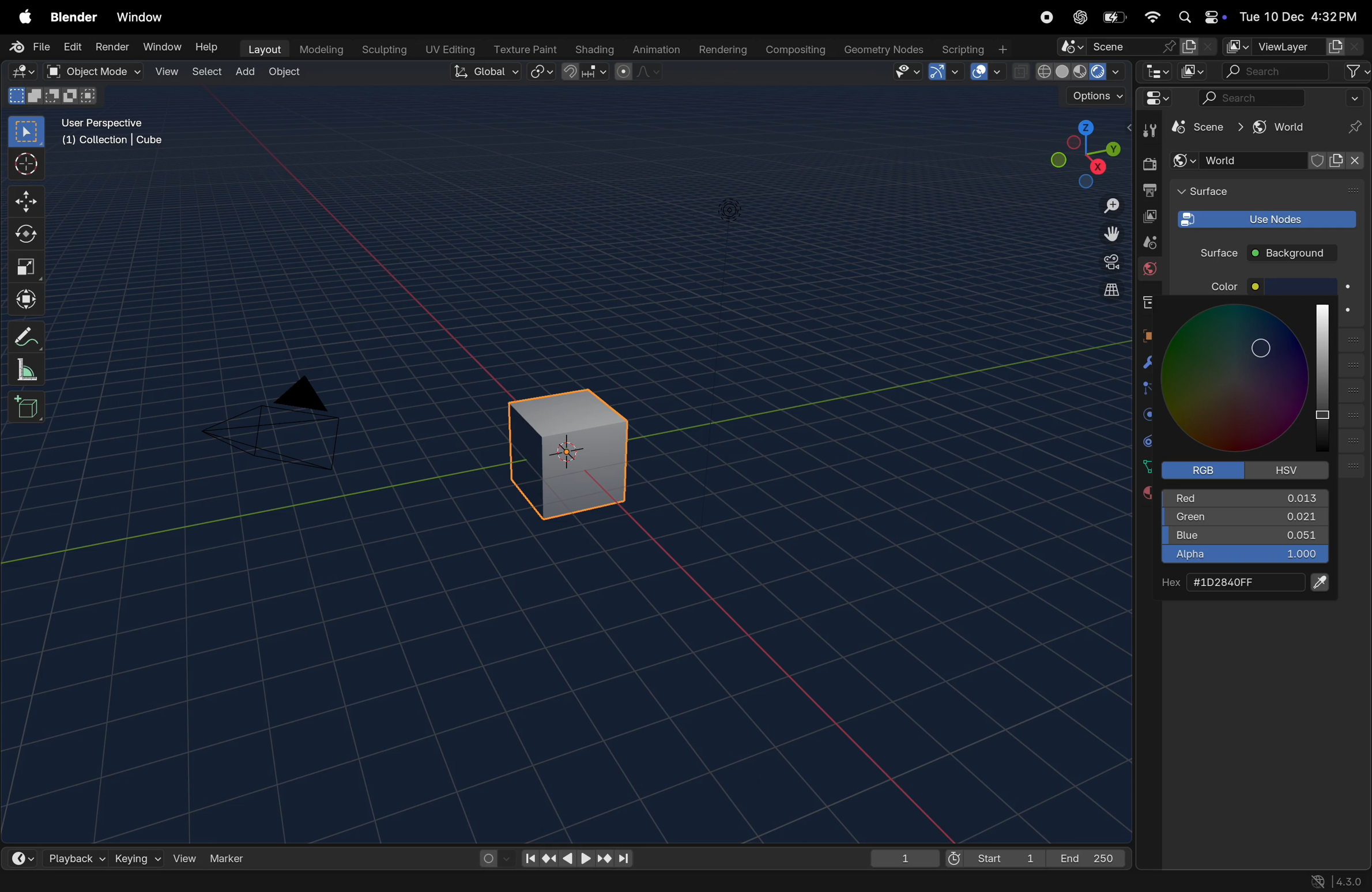 The width and height of the screenshot is (1372, 892). I want to click on move the view, so click(1107, 233).